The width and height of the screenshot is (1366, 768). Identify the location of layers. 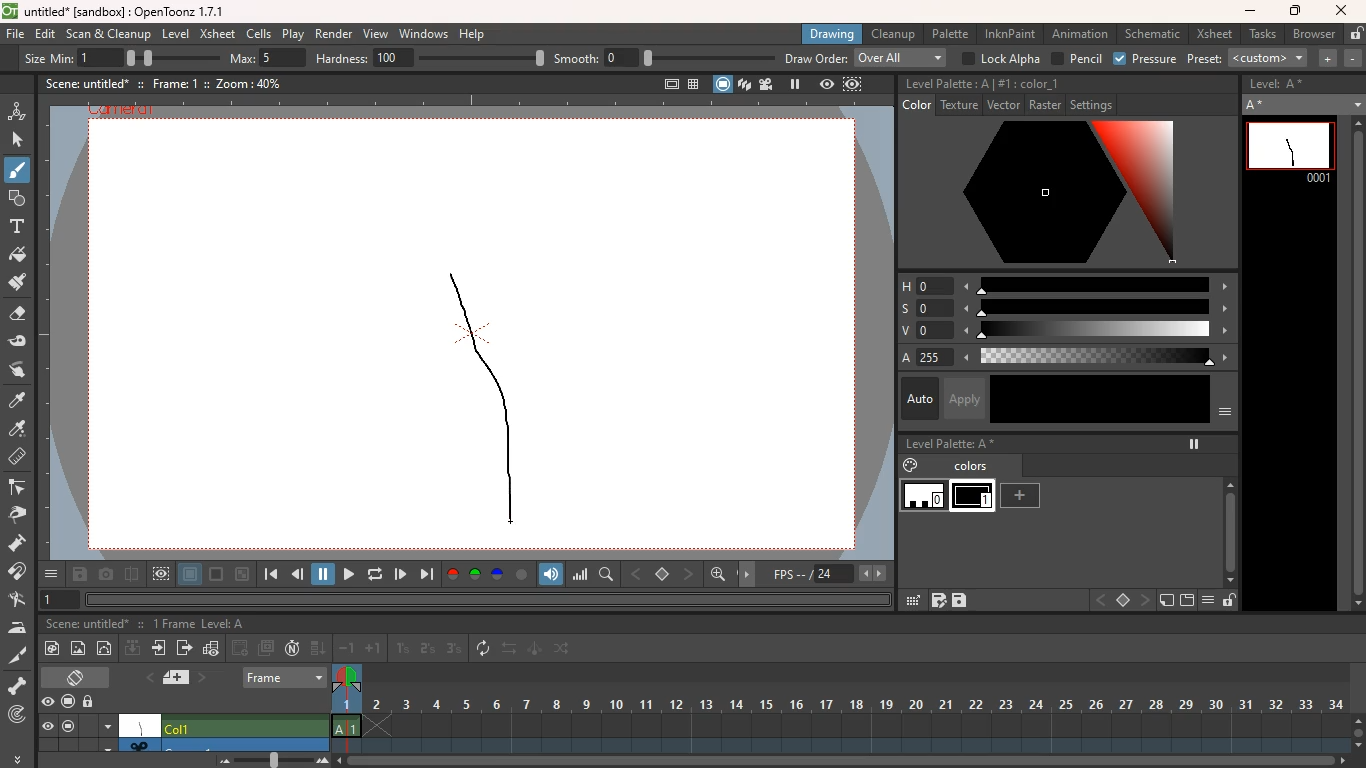
(744, 86).